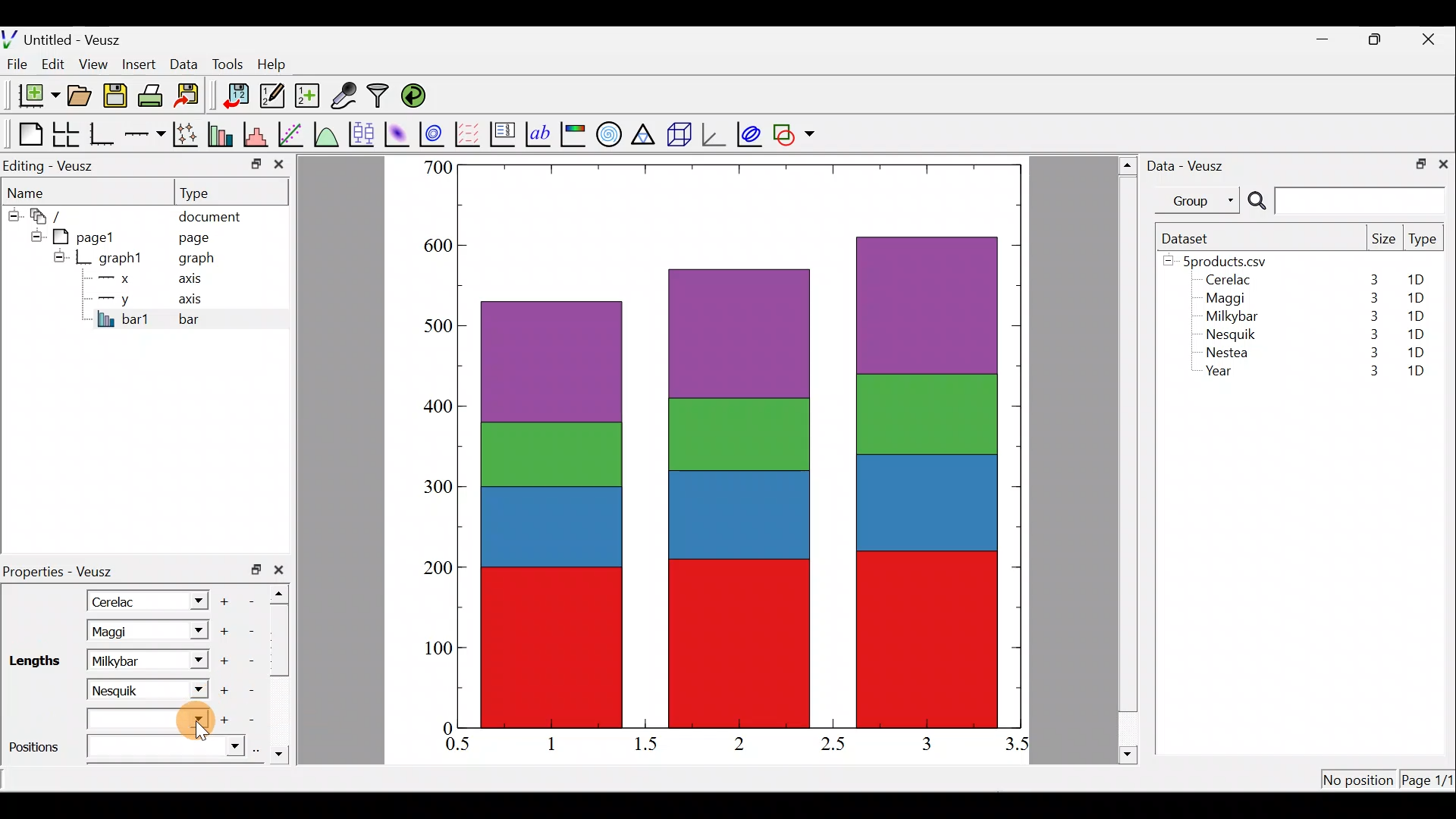  What do you see at coordinates (193, 237) in the screenshot?
I see `page` at bounding box center [193, 237].